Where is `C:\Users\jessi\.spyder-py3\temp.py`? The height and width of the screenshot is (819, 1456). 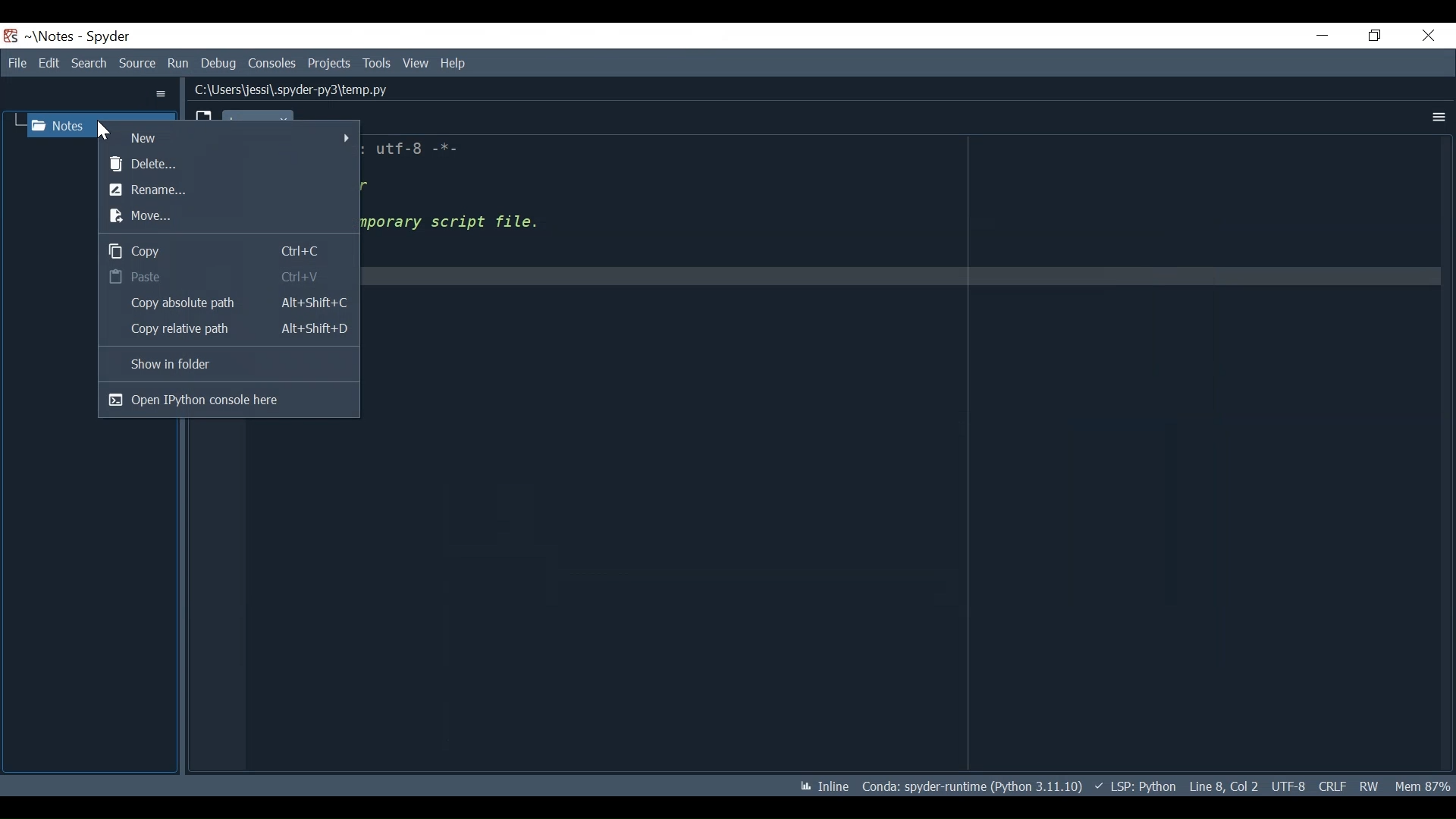 C:\Users\jessi\.spyder-py3\temp.py is located at coordinates (303, 89).